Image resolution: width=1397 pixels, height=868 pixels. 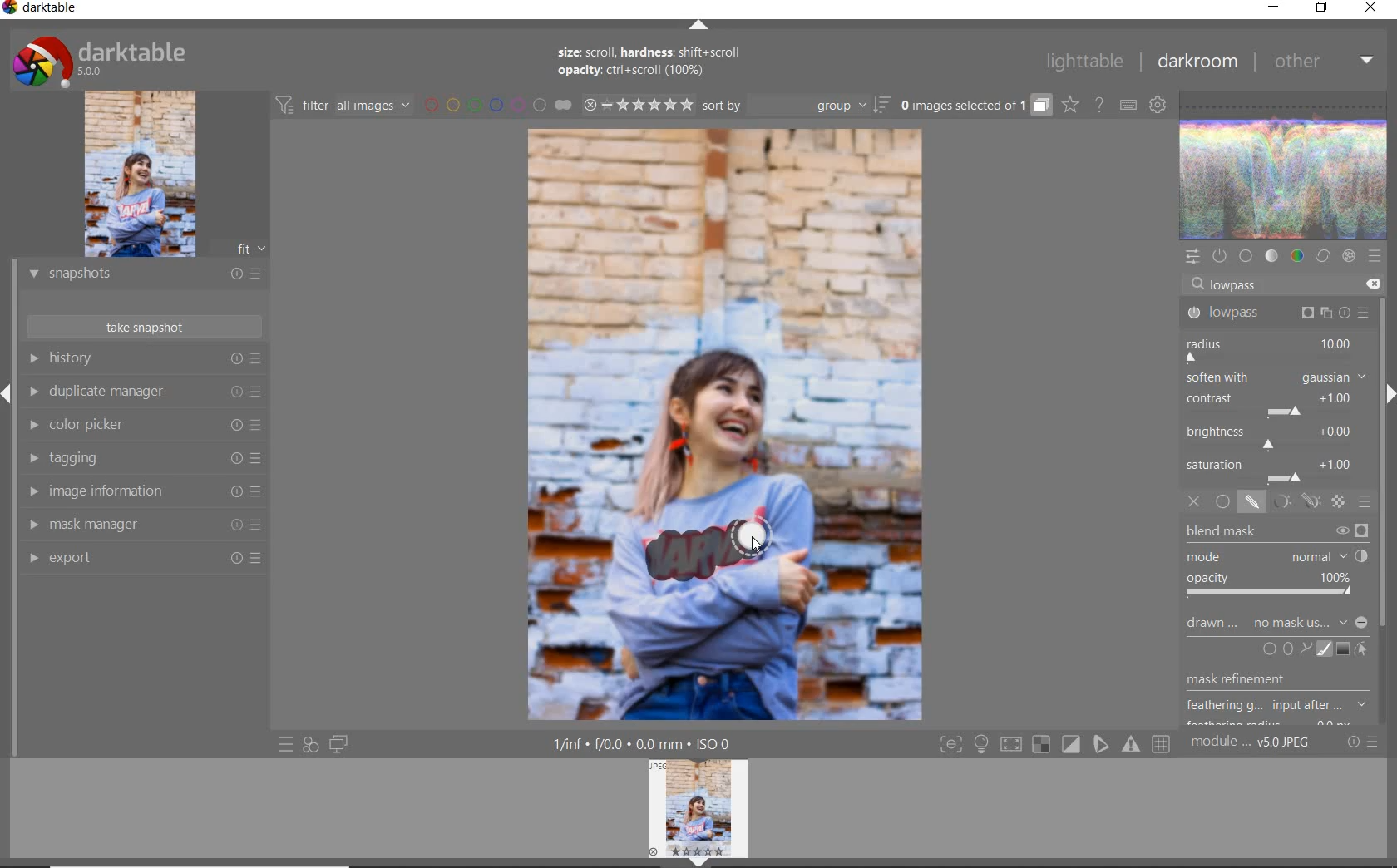 I want to click on take snapshots, so click(x=143, y=328).